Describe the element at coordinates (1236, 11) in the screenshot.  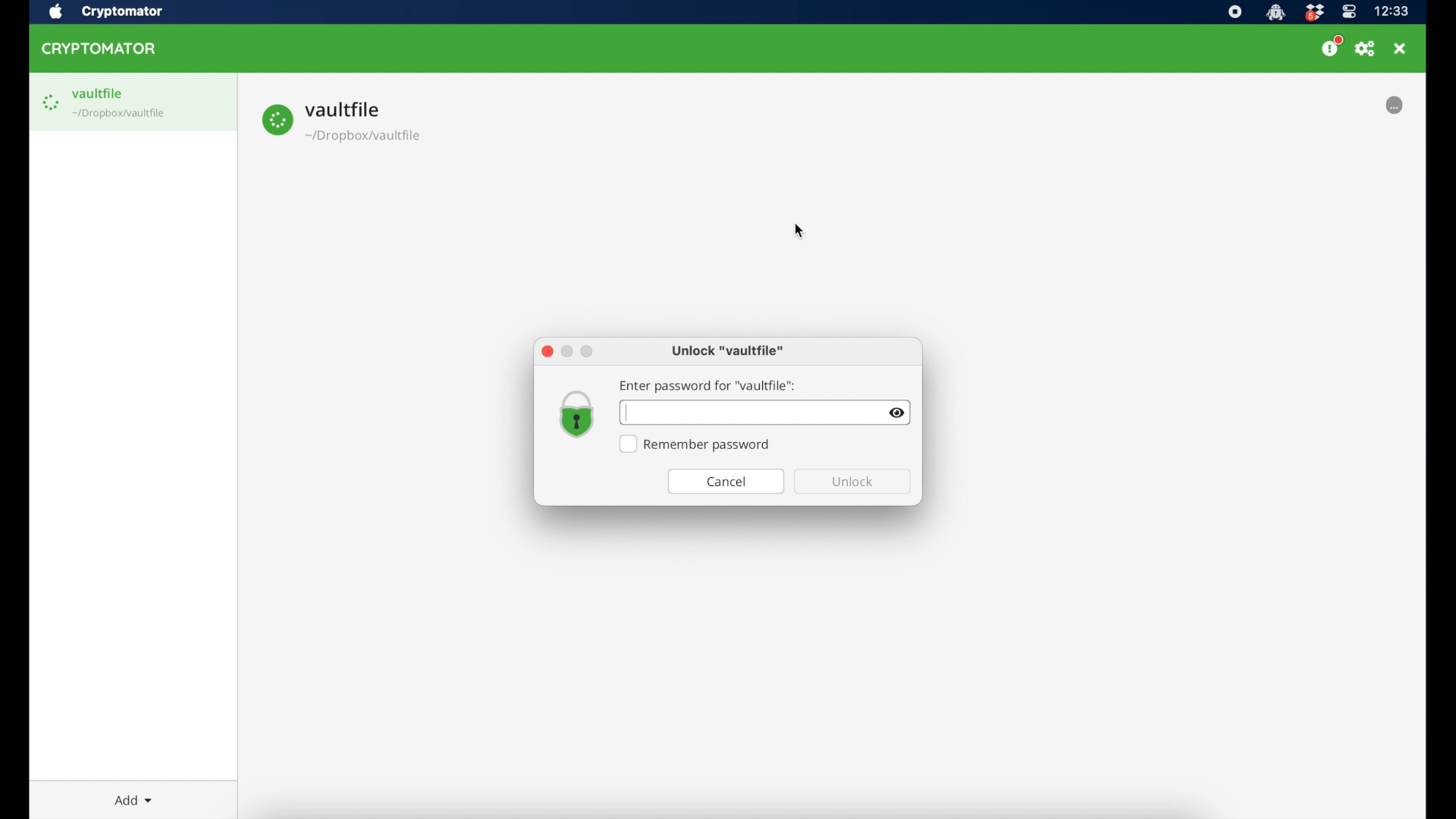
I see `screen recorder icon` at that location.